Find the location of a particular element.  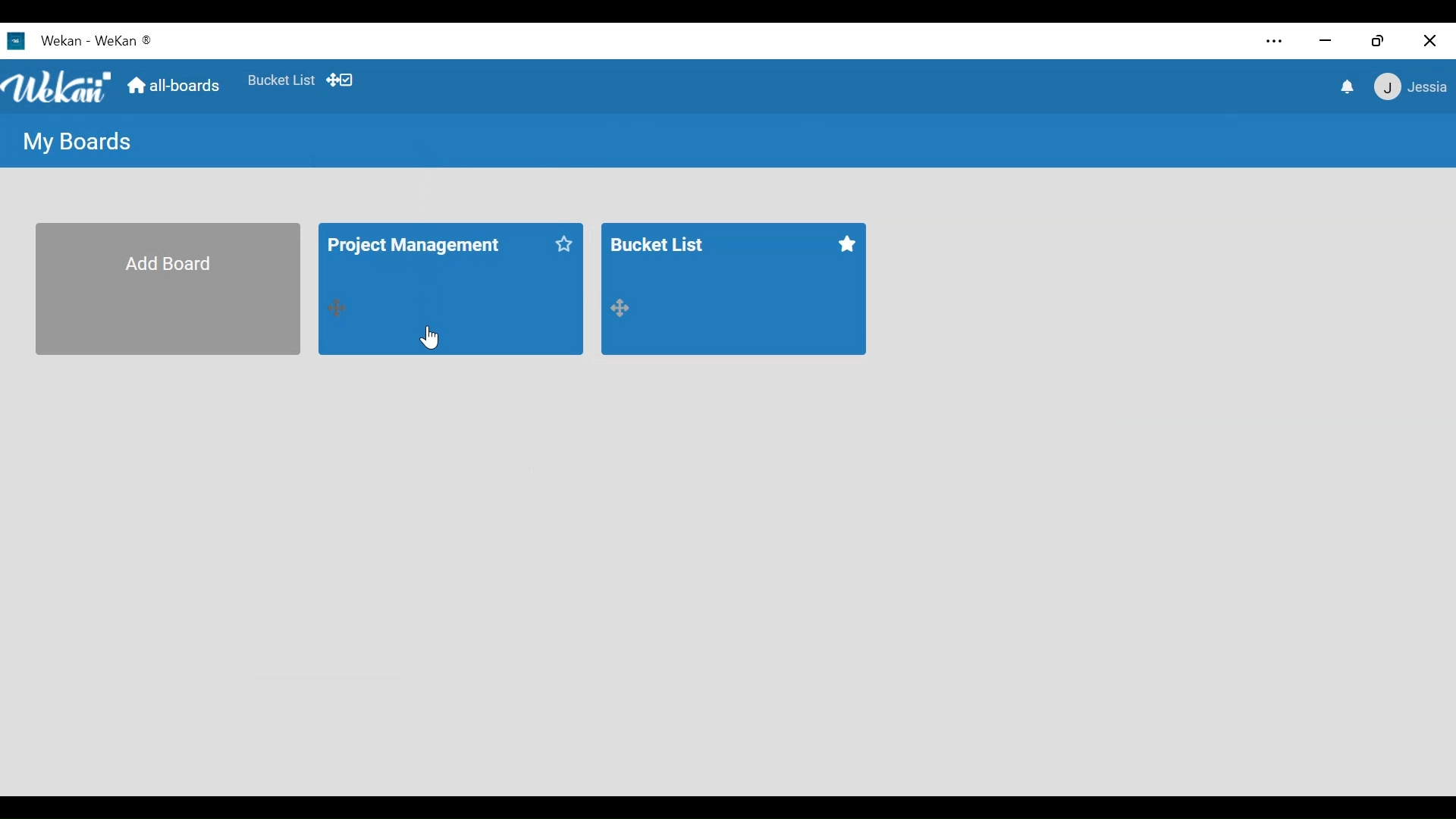

Show/Hide desktop drag handle is located at coordinates (339, 80).